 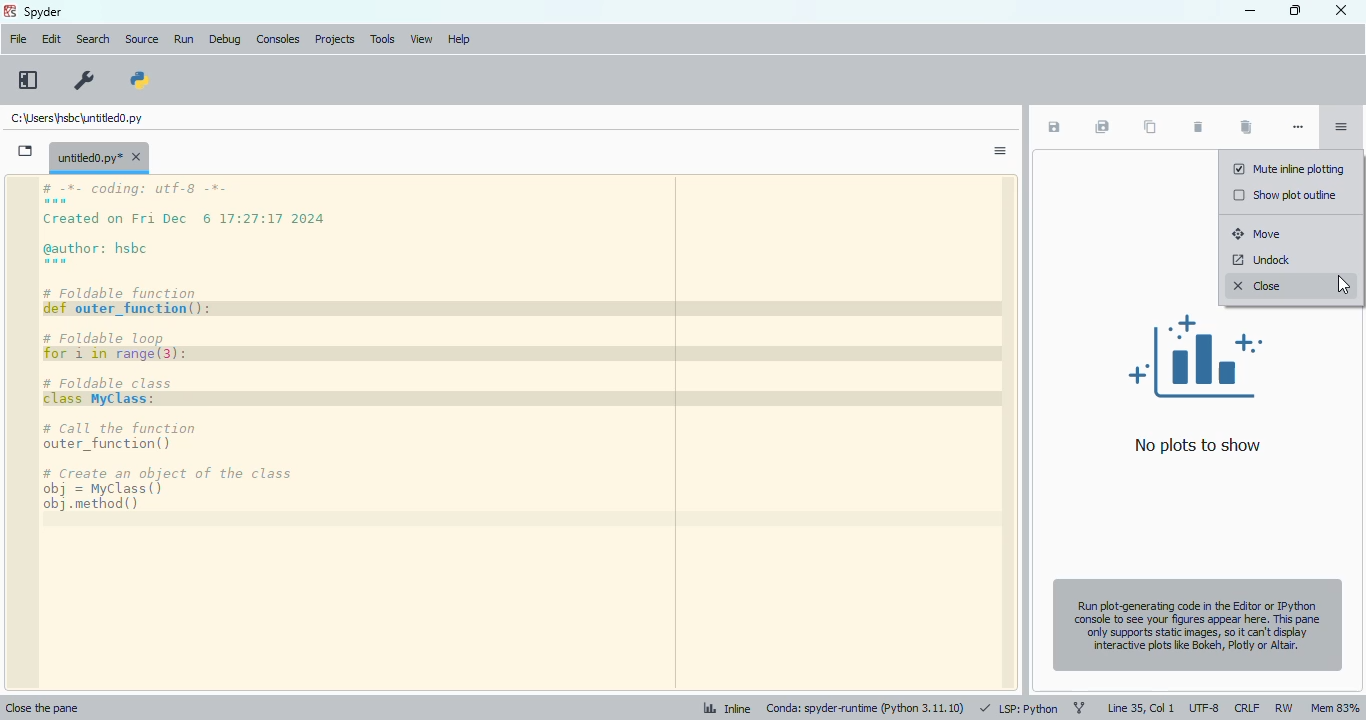 I want to click on view, so click(x=421, y=39).